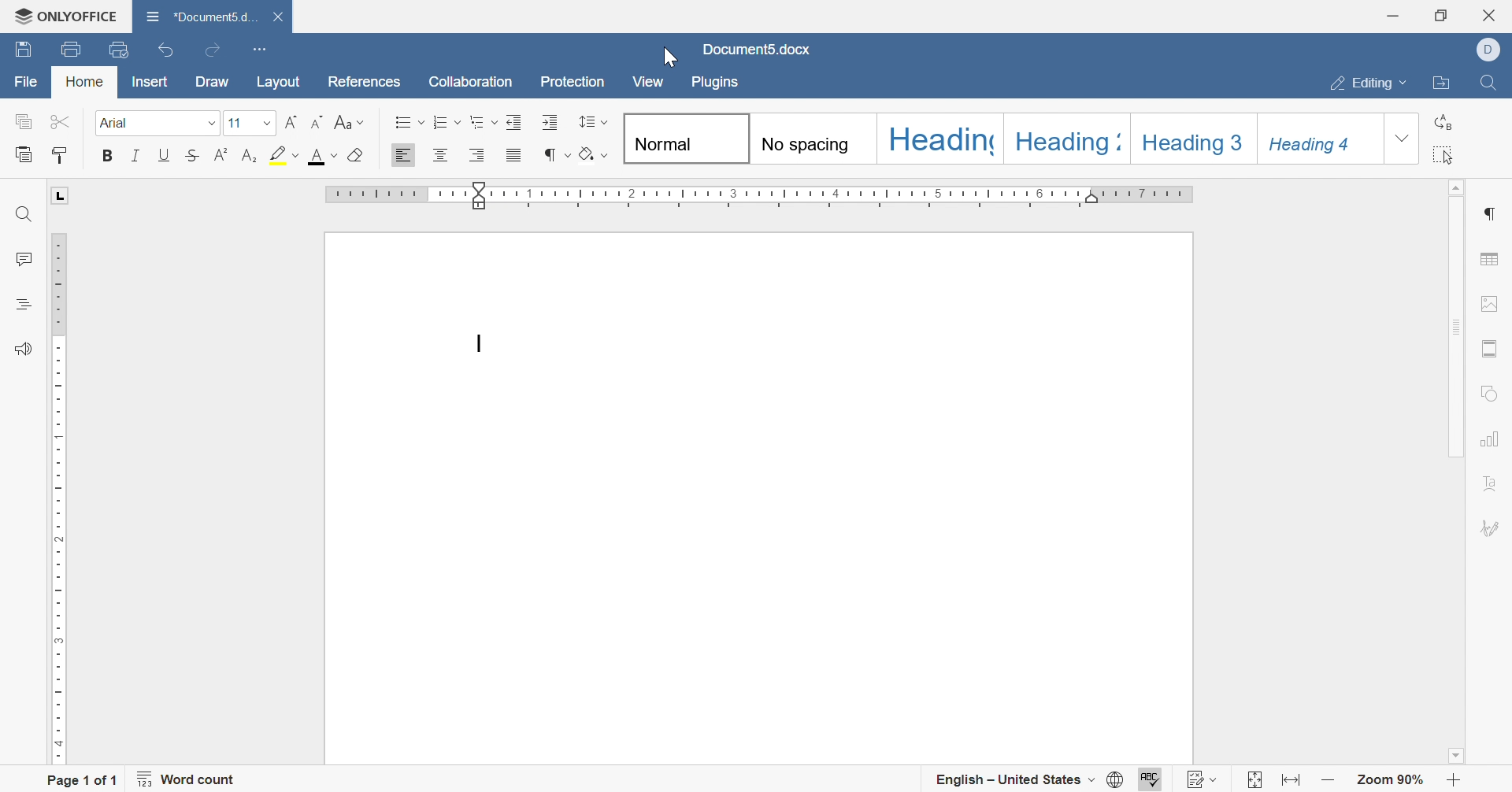  I want to click on strikethrough, so click(195, 154).